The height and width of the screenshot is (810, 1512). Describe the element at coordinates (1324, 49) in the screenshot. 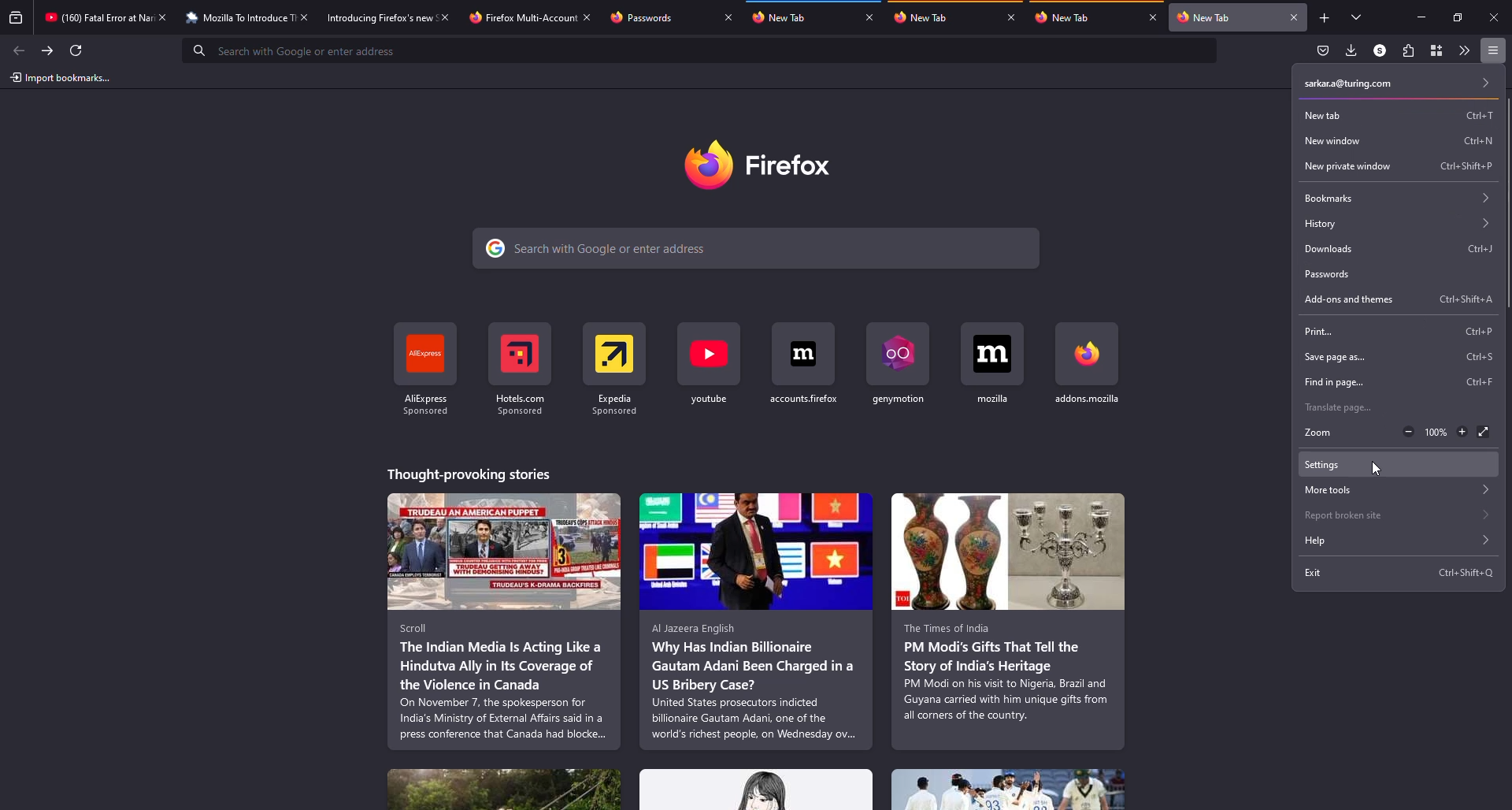

I see `save to pocket` at that location.